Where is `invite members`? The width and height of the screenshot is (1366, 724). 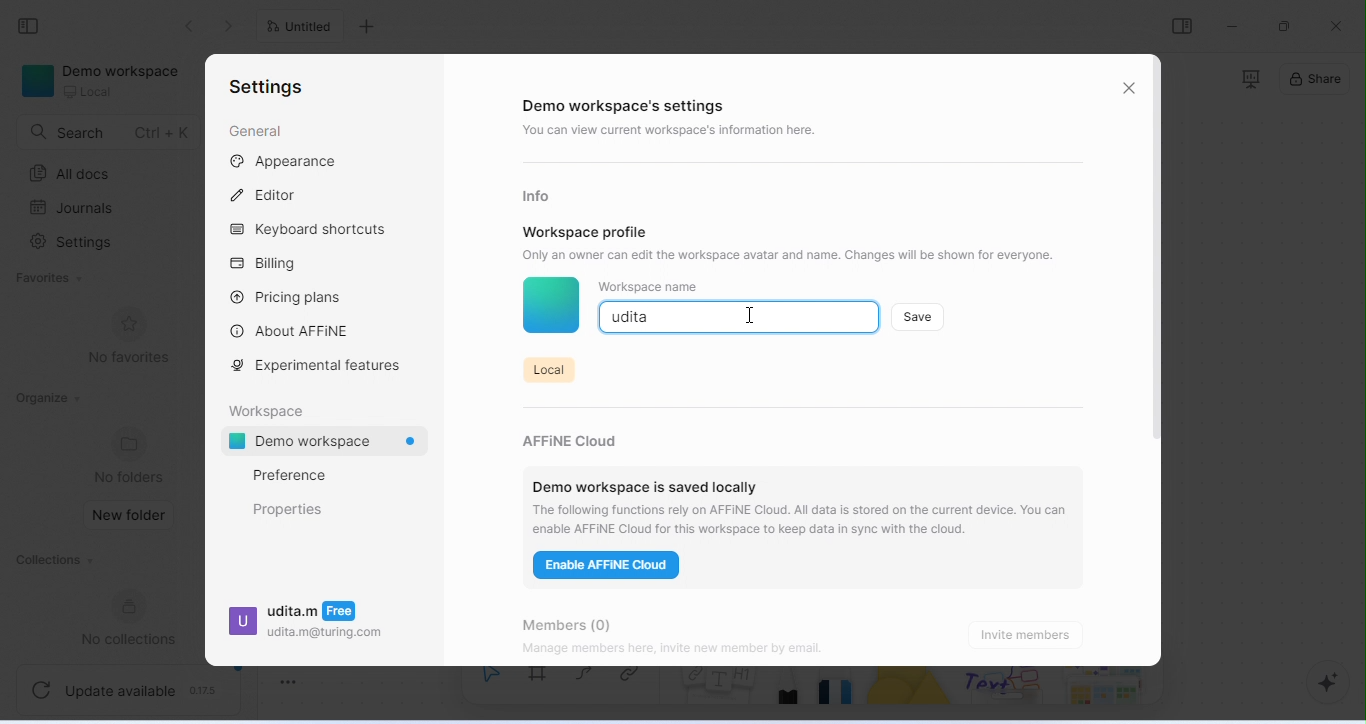 invite members is located at coordinates (1030, 634).